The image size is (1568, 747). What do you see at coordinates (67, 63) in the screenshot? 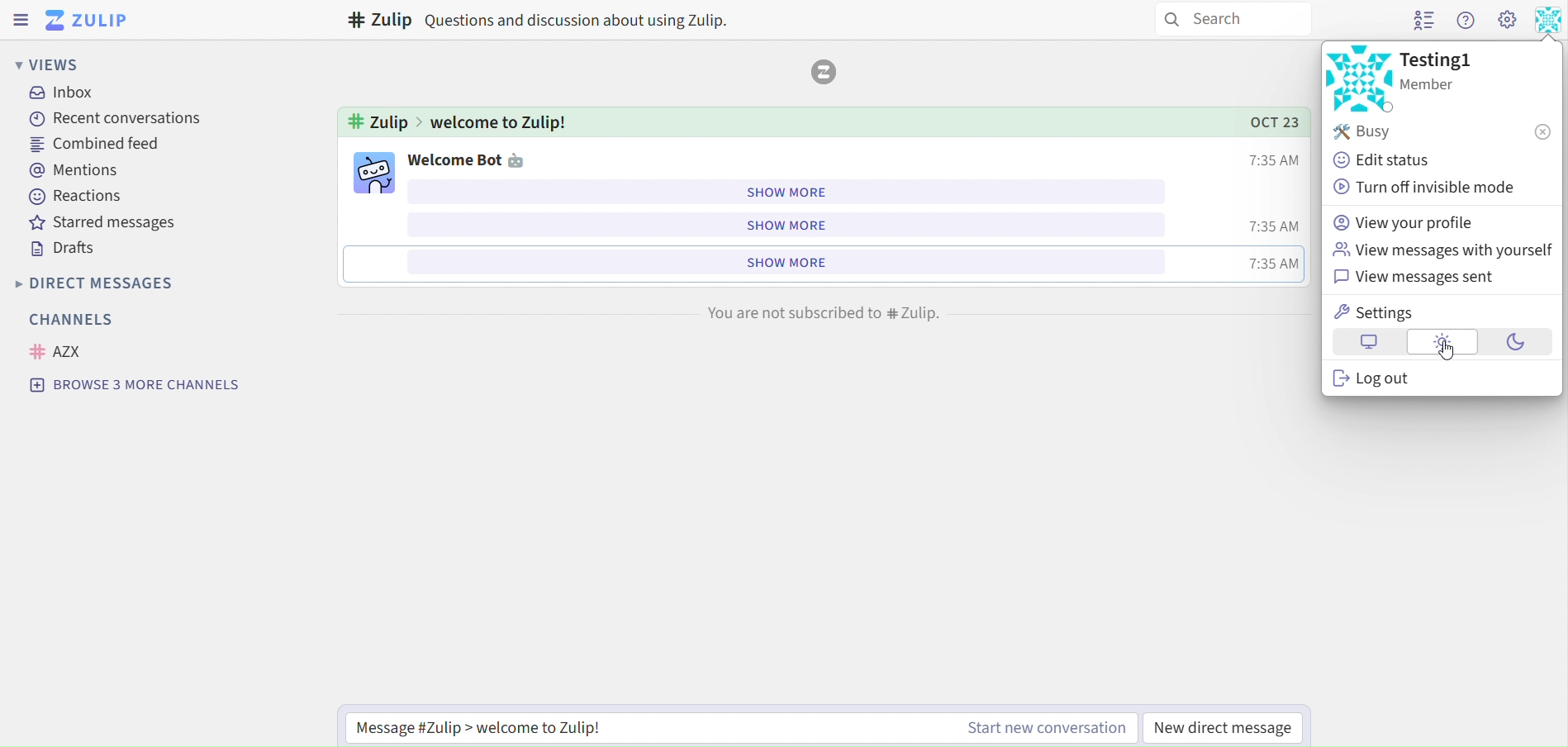
I see `views` at bounding box center [67, 63].